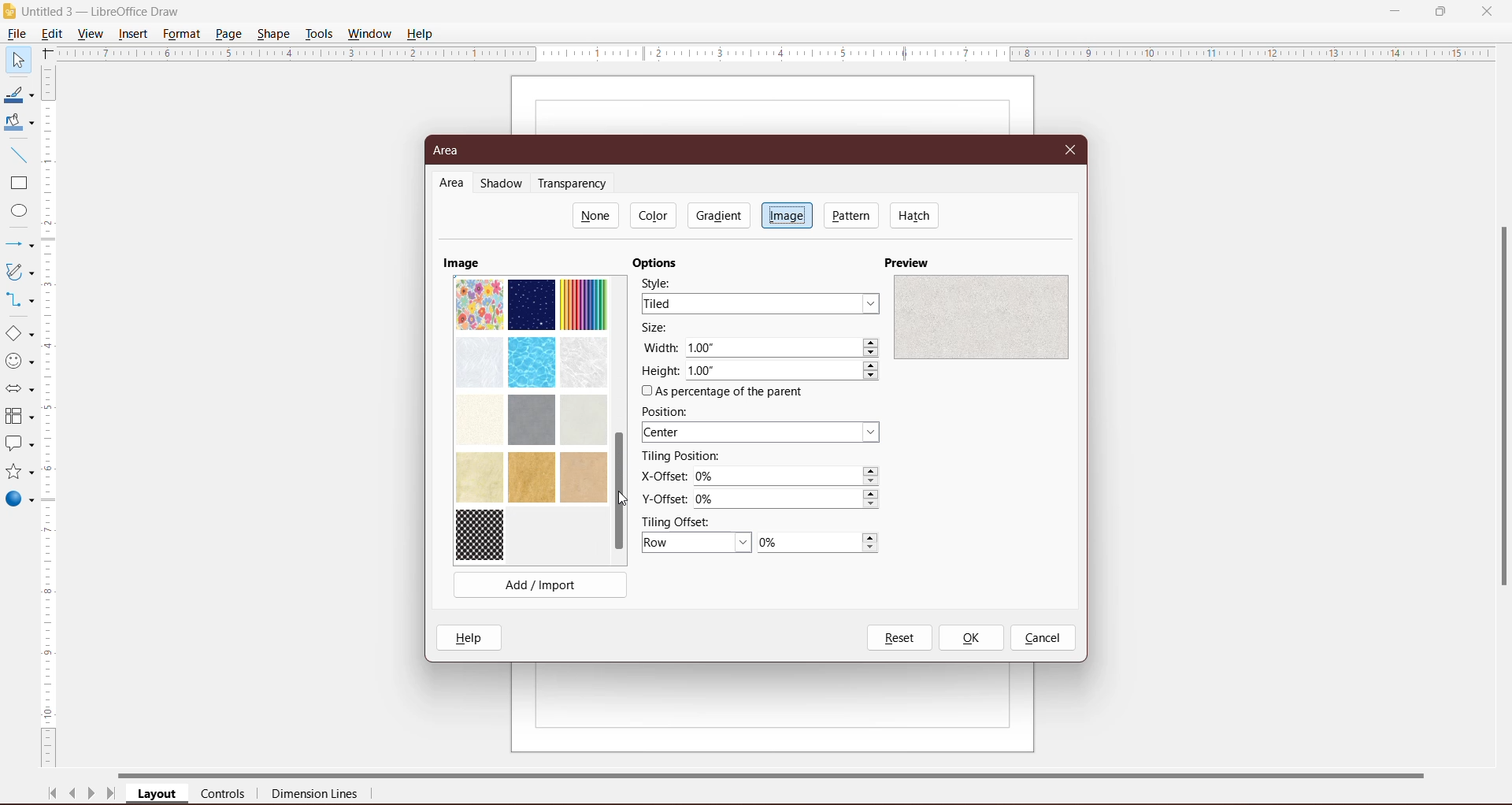  Describe the element at coordinates (319, 34) in the screenshot. I see `Tools` at that location.